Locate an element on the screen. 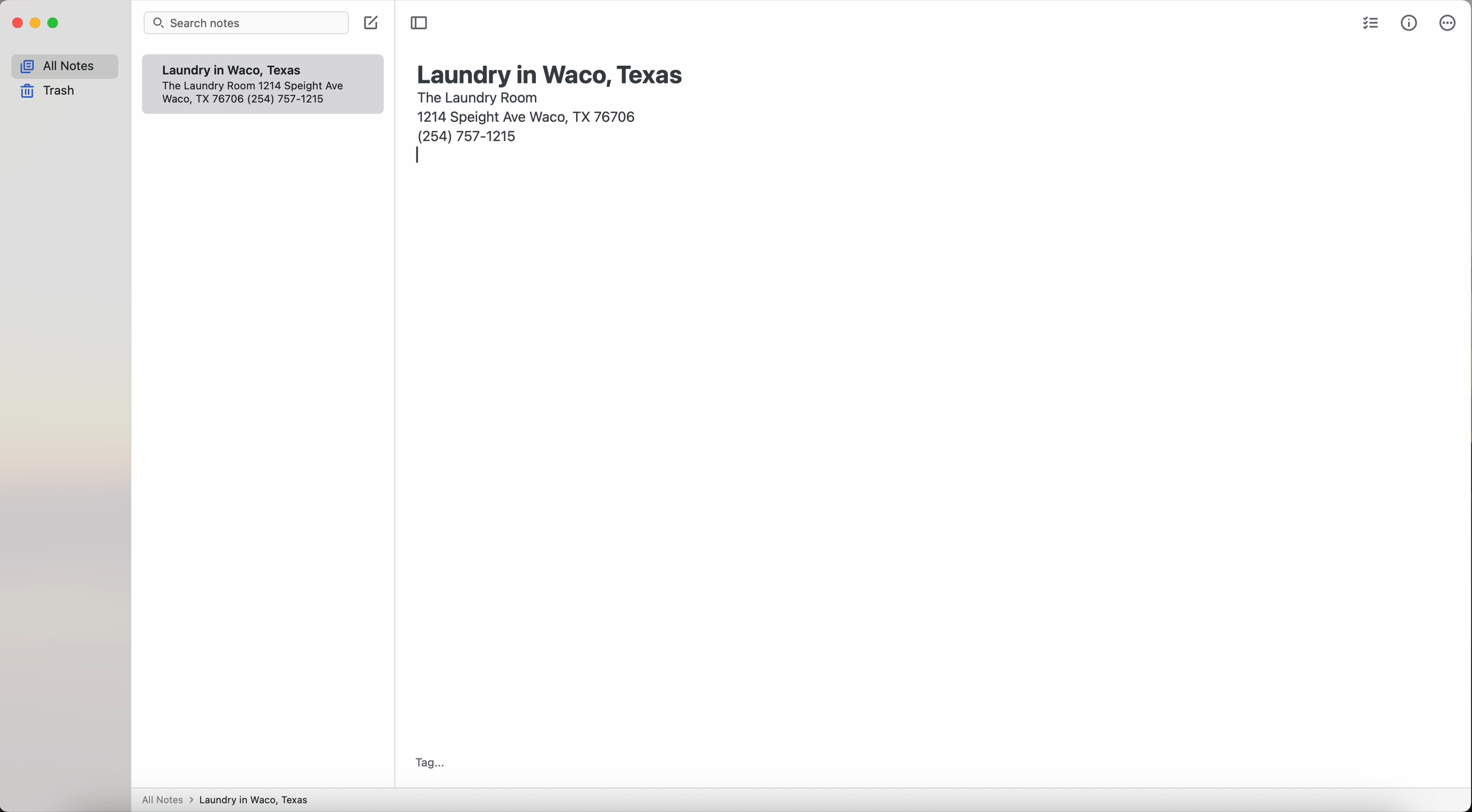  (254) 757-1215 is located at coordinates (469, 135).